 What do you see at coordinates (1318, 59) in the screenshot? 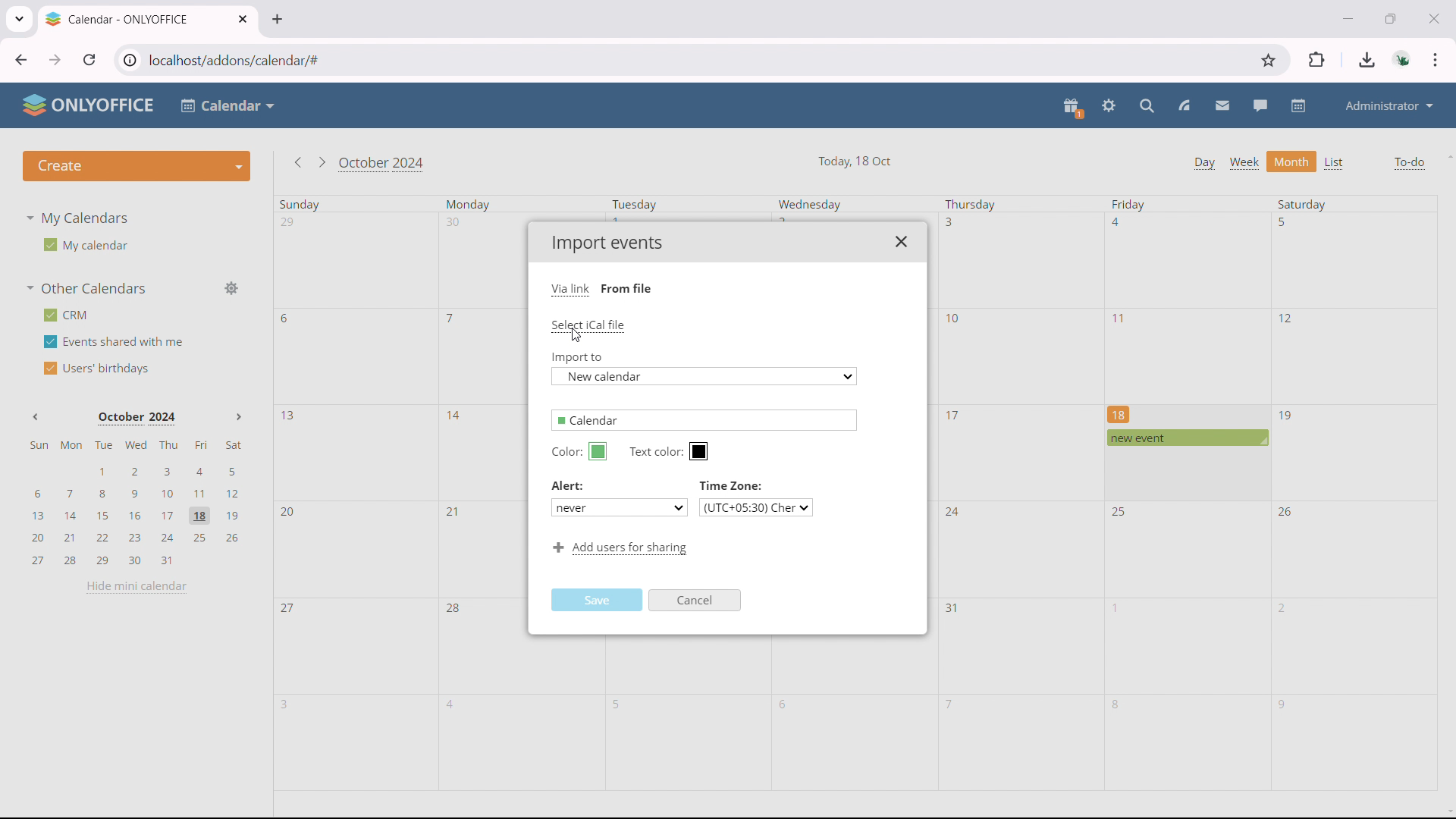
I see `extensions` at bounding box center [1318, 59].